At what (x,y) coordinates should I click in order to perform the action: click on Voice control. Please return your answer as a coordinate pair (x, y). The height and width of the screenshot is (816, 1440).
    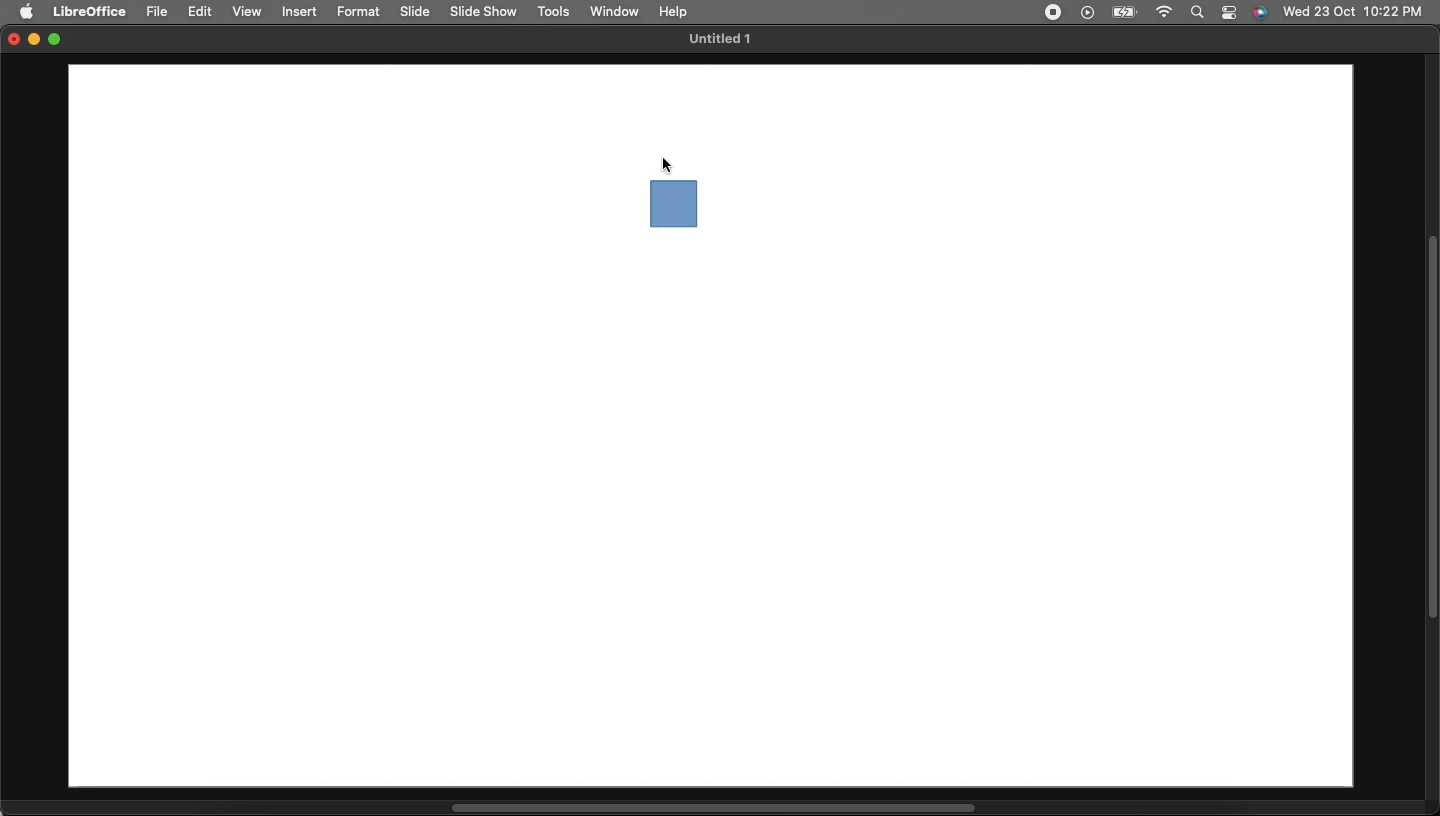
    Looking at the image, I should click on (1259, 13).